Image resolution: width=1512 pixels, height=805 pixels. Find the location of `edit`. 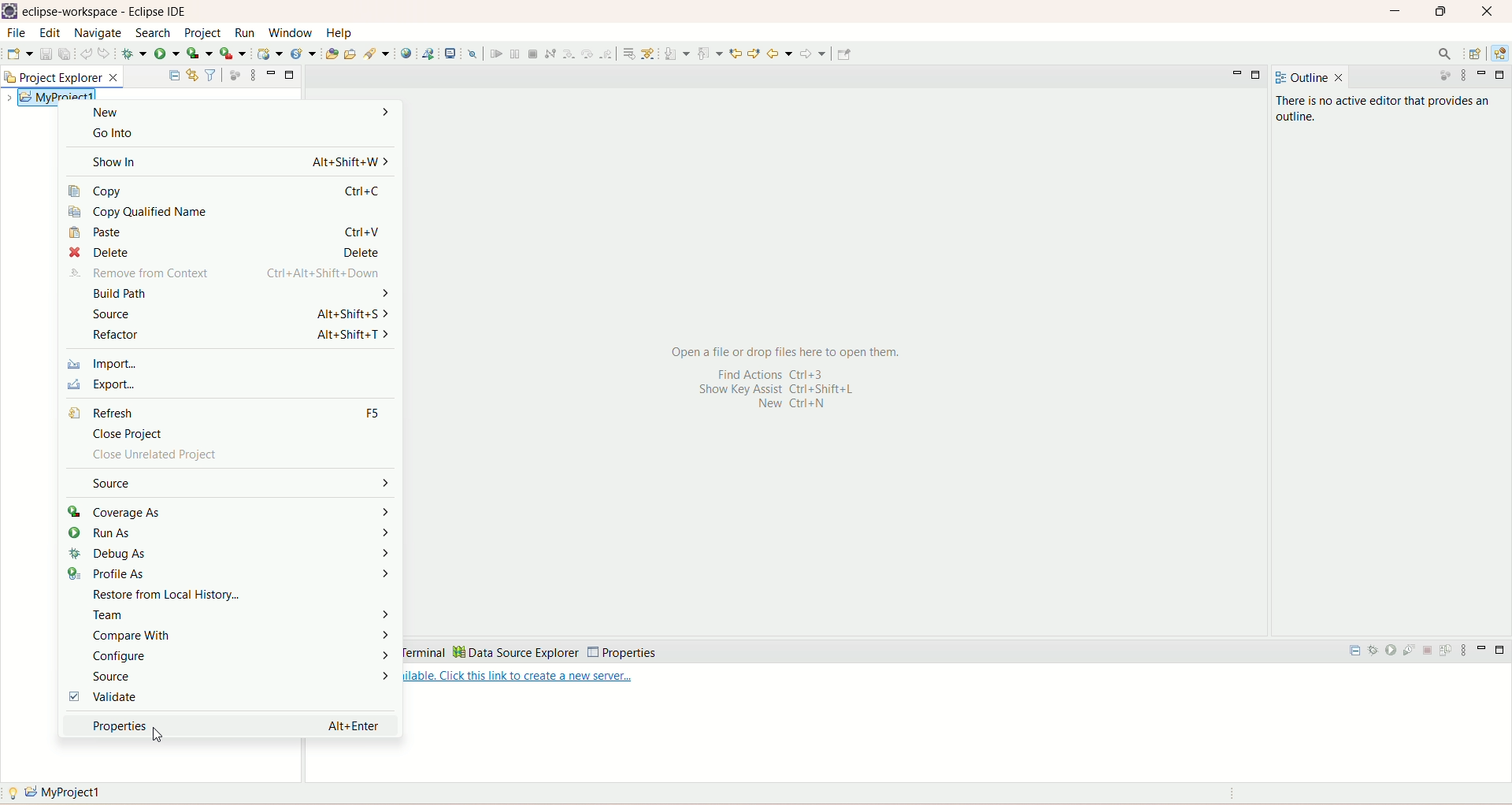

edit is located at coordinates (48, 33).